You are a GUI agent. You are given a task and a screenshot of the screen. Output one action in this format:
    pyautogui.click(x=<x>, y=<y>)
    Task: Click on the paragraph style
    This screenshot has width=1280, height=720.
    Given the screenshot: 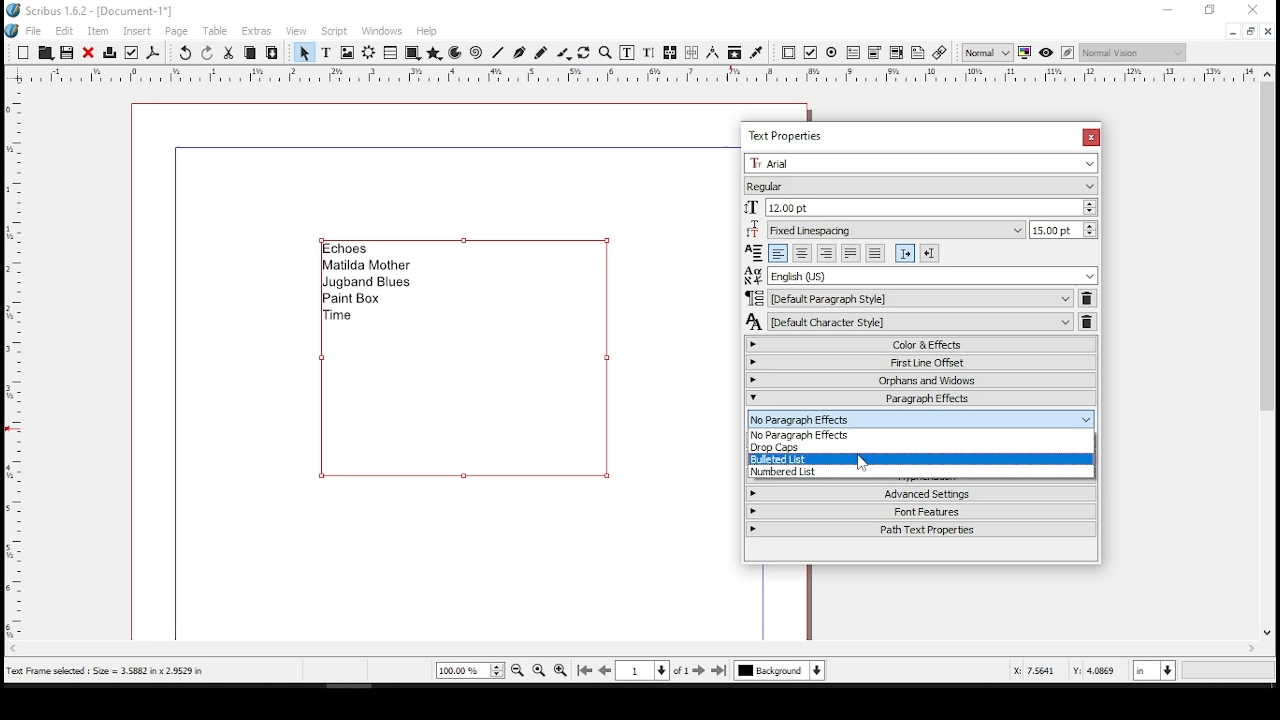 What is the action you would take?
    pyautogui.click(x=910, y=298)
    